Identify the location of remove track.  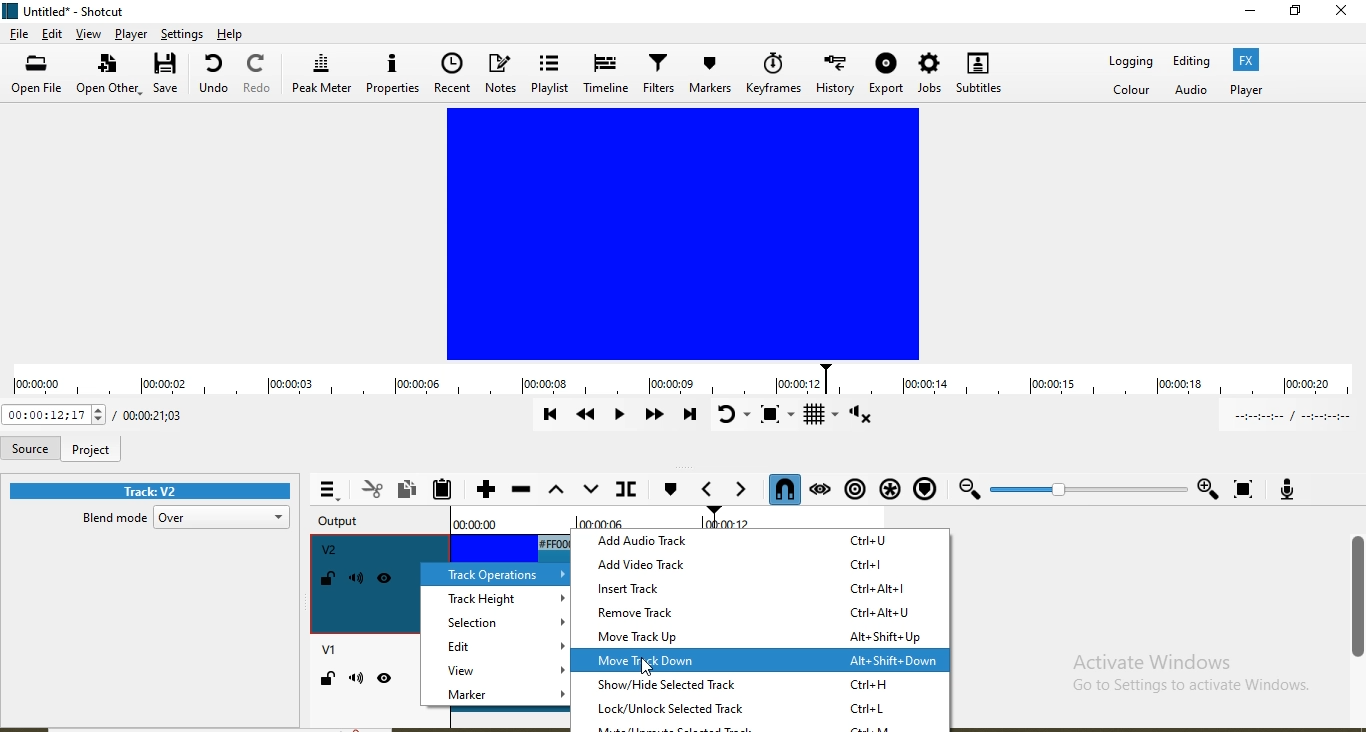
(761, 612).